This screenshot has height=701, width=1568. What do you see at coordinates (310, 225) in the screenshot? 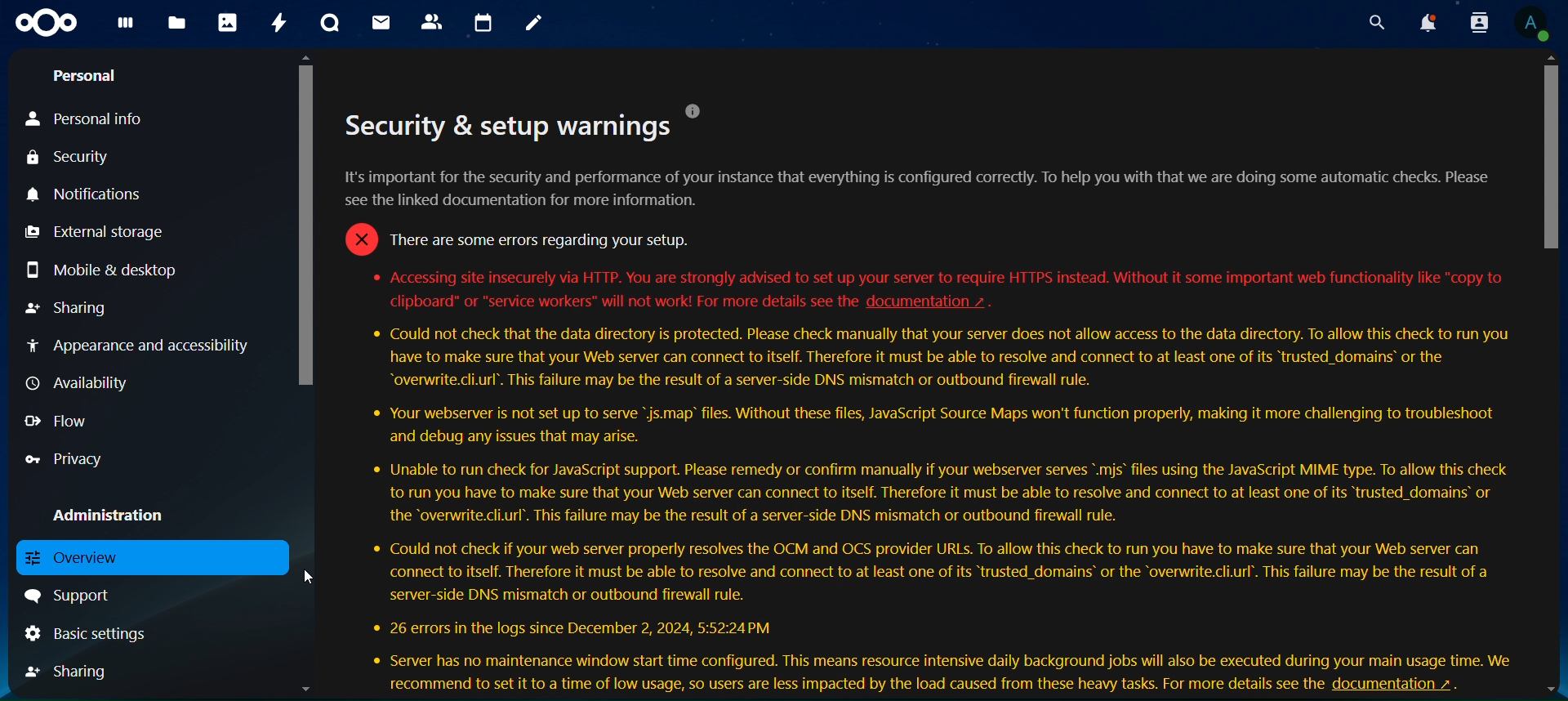
I see `scrollbar` at bounding box center [310, 225].